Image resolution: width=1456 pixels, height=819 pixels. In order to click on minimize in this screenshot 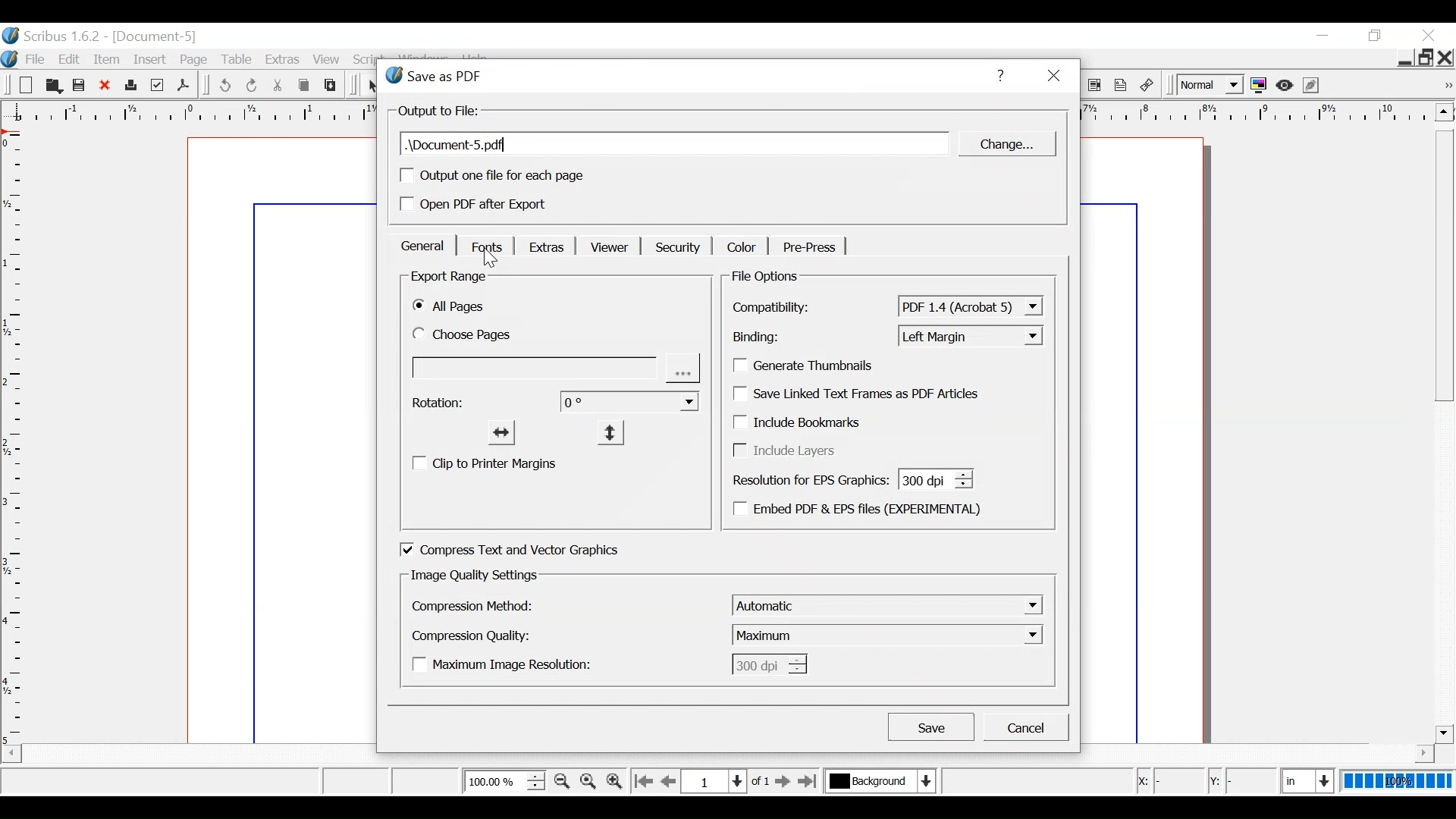, I will do `click(1377, 36)`.